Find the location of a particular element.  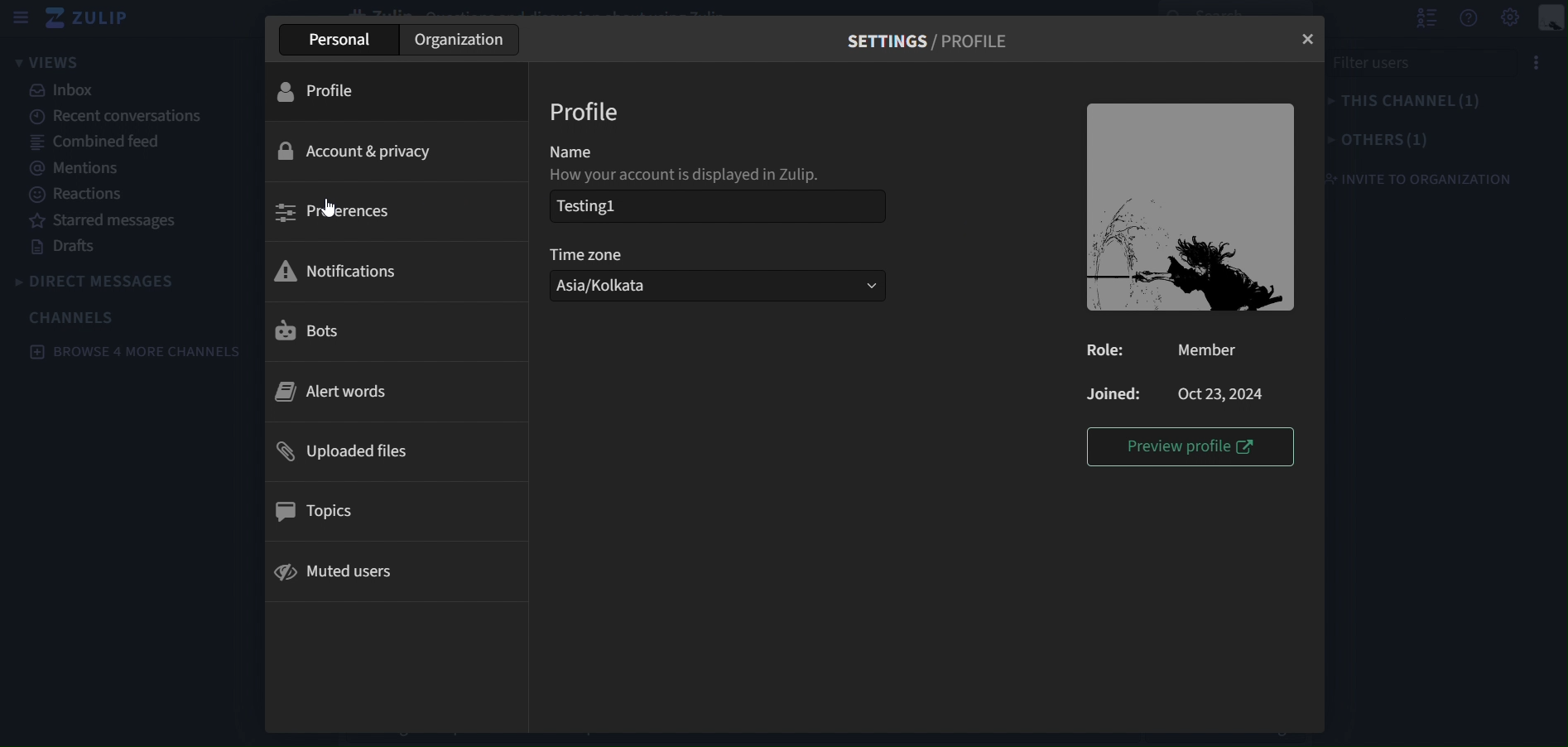

account &privacy is located at coordinates (399, 147).